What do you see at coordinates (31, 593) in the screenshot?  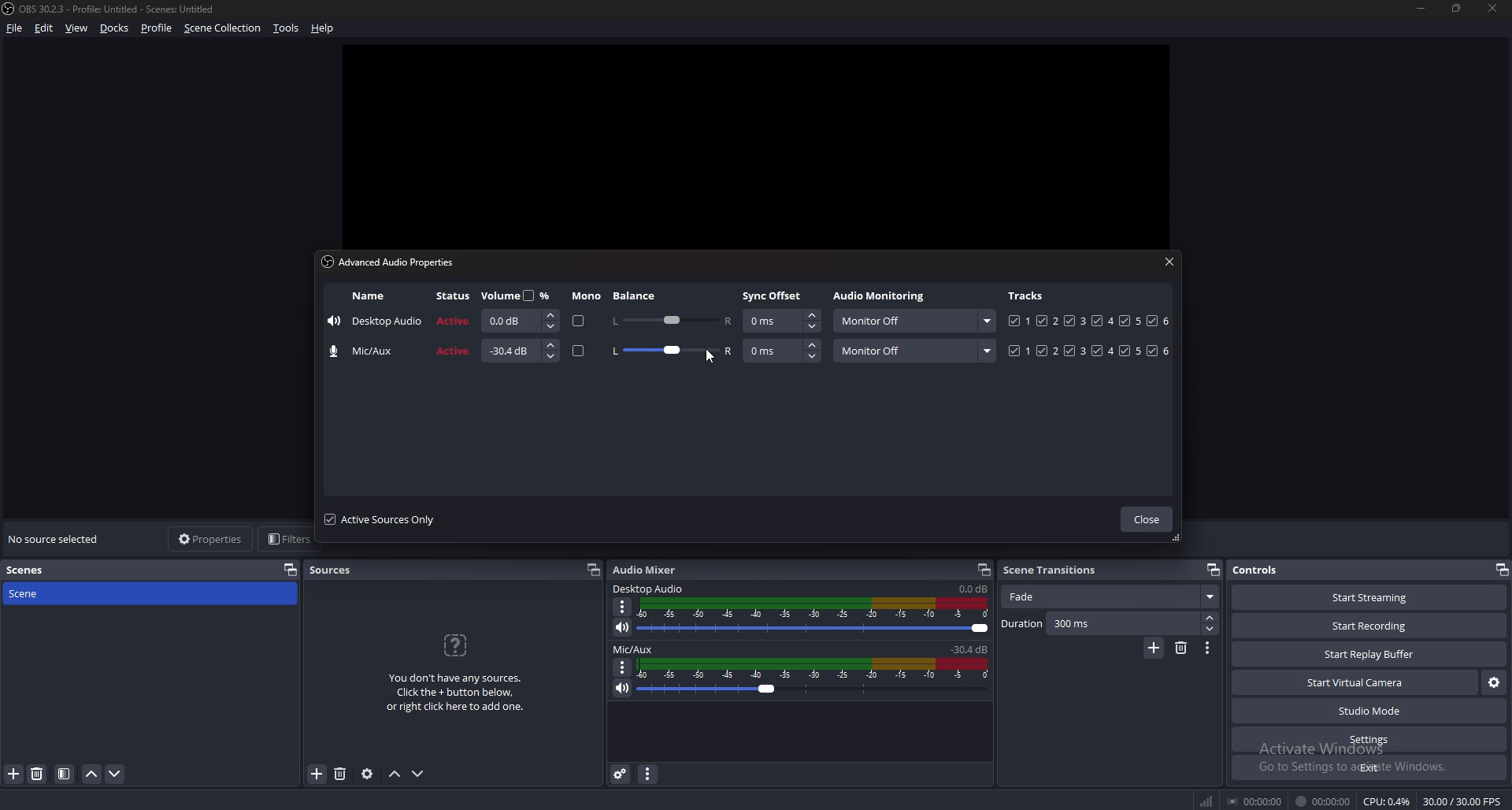 I see `scene` at bounding box center [31, 593].